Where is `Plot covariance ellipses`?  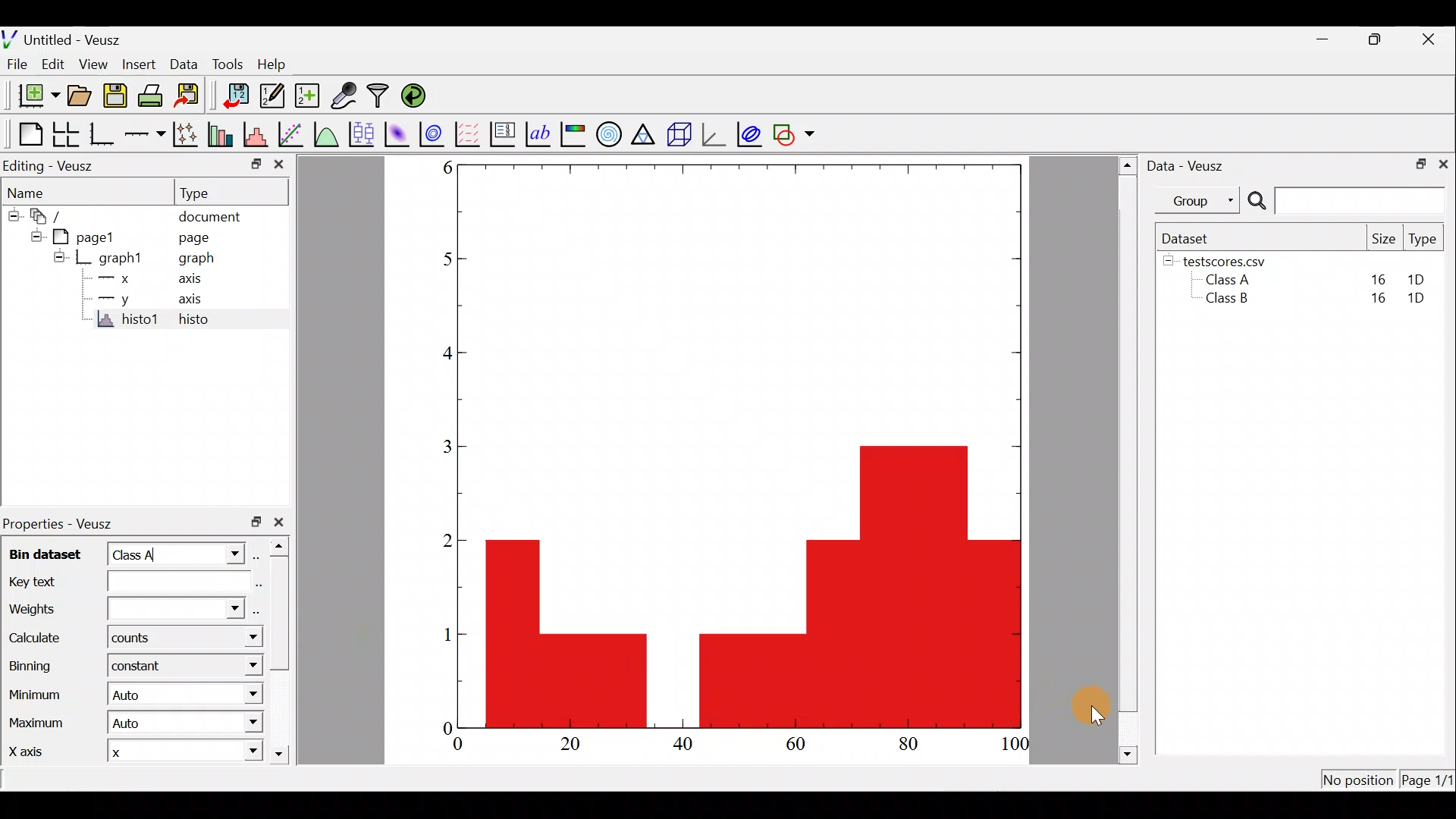 Plot covariance ellipses is located at coordinates (749, 133).